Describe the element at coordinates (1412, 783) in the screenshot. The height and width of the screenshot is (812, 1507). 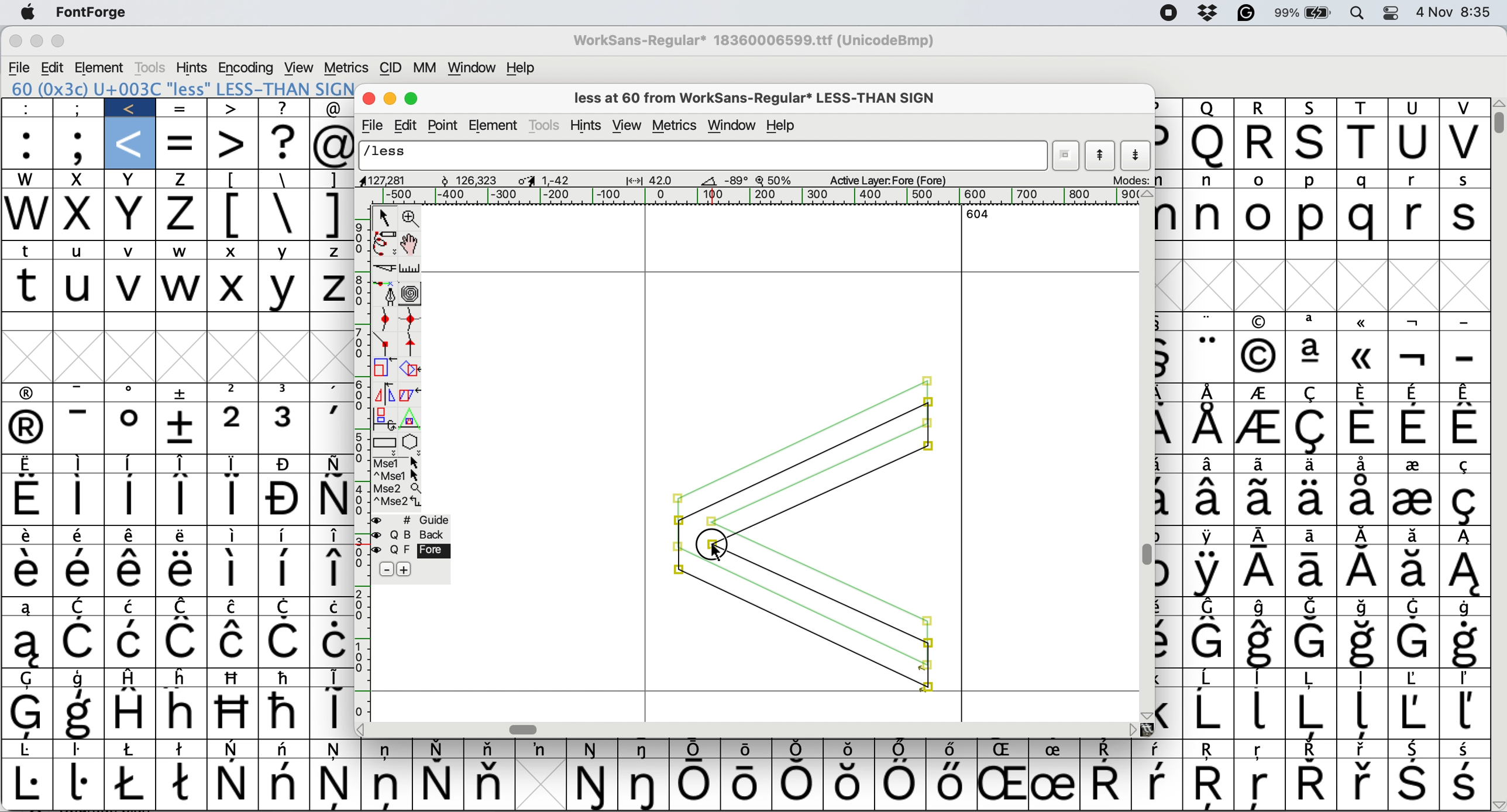
I see `Symbol` at that location.